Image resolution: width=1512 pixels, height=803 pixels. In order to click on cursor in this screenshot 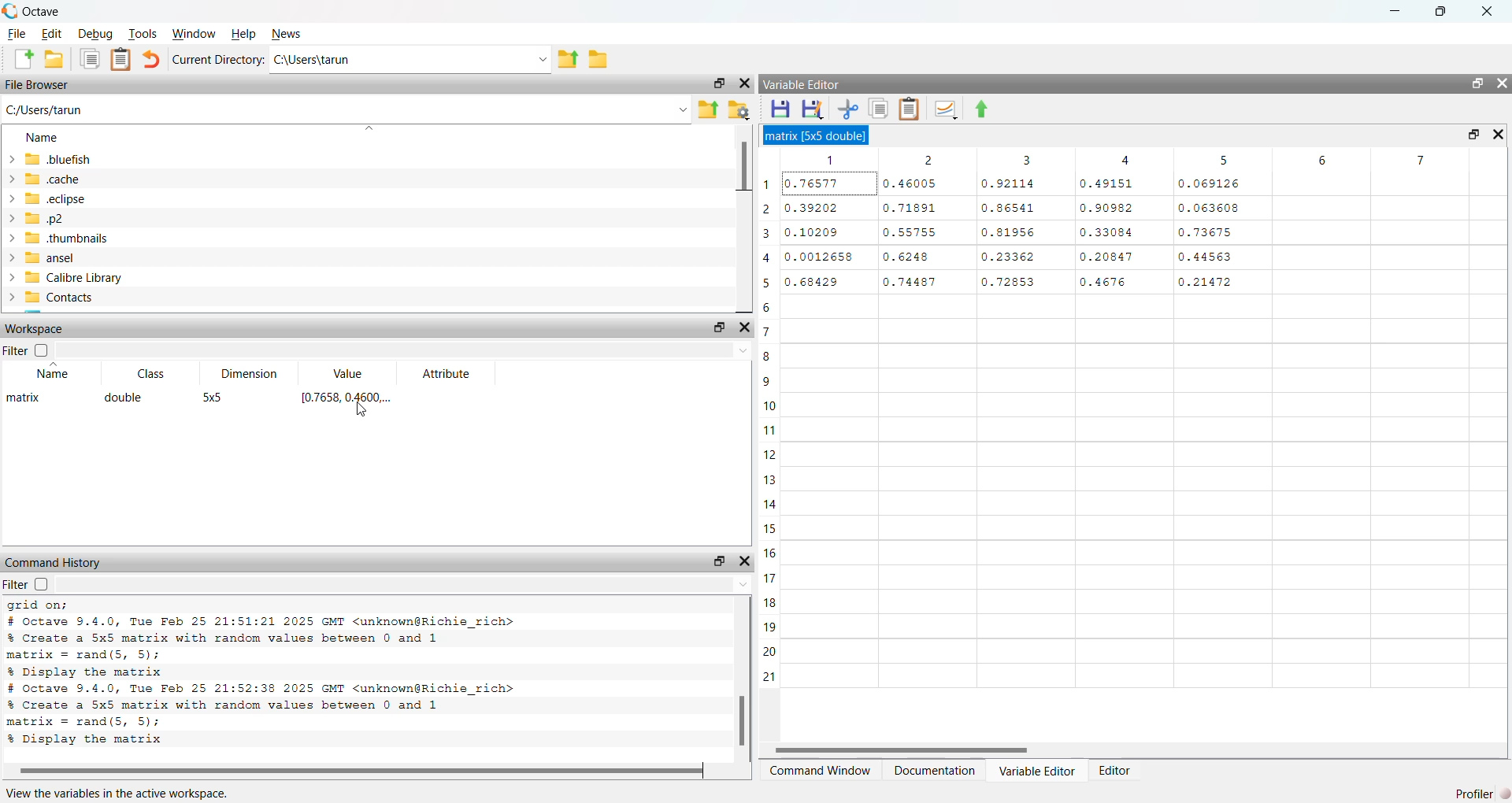, I will do `click(363, 413)`.